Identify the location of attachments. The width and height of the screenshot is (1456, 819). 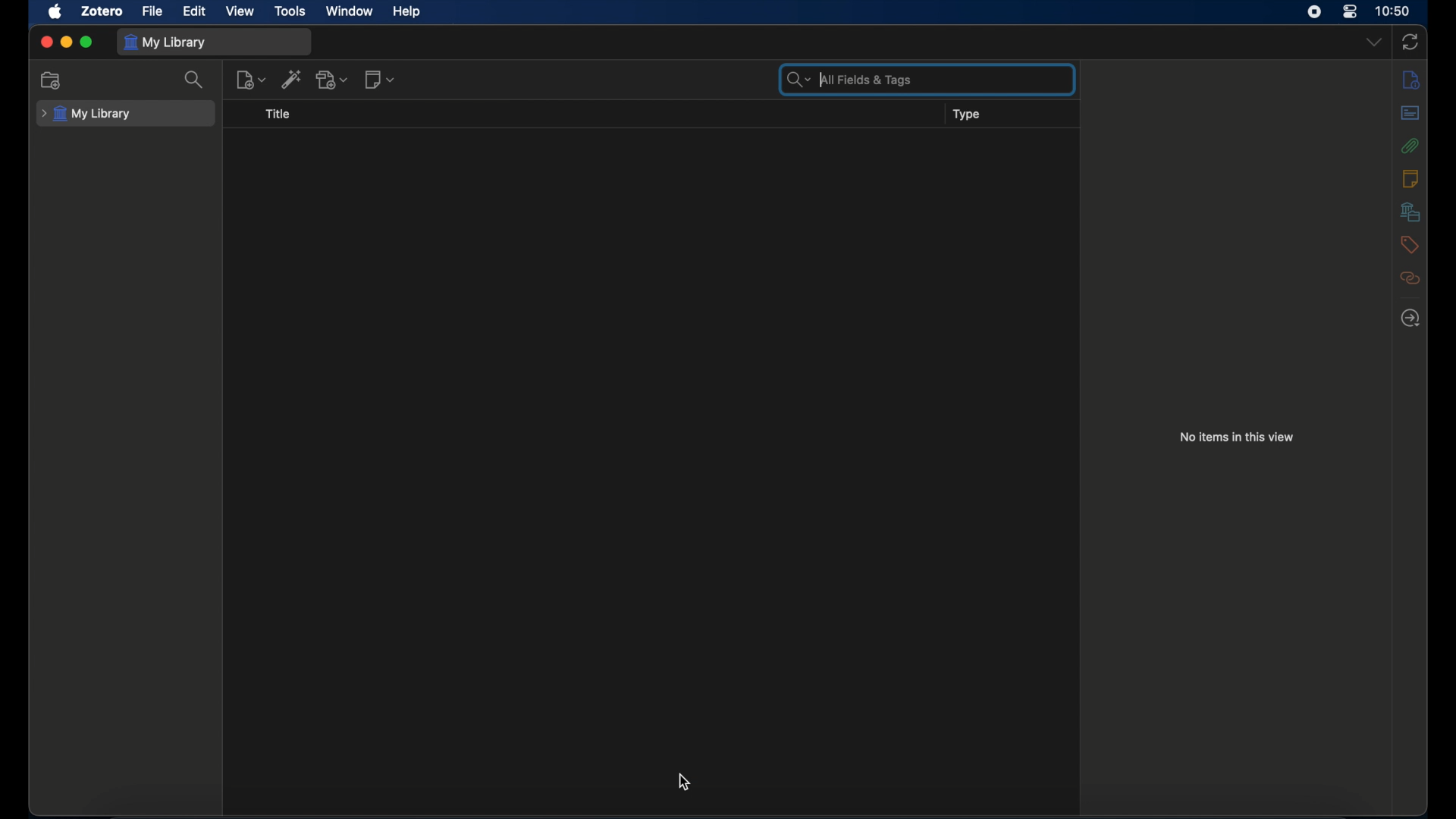
(1410, 146).